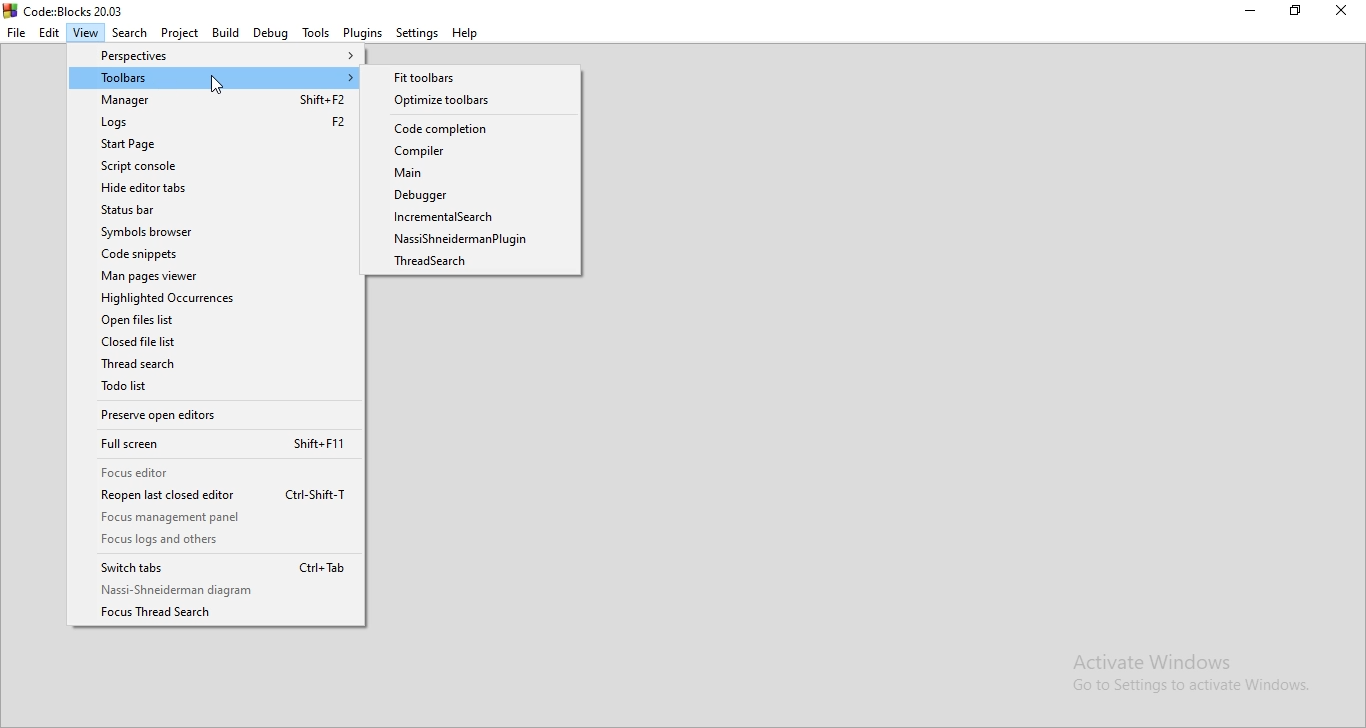  Describe the element at coordinates (51, 33) in the screenshot. I see `Edit ` at that location.